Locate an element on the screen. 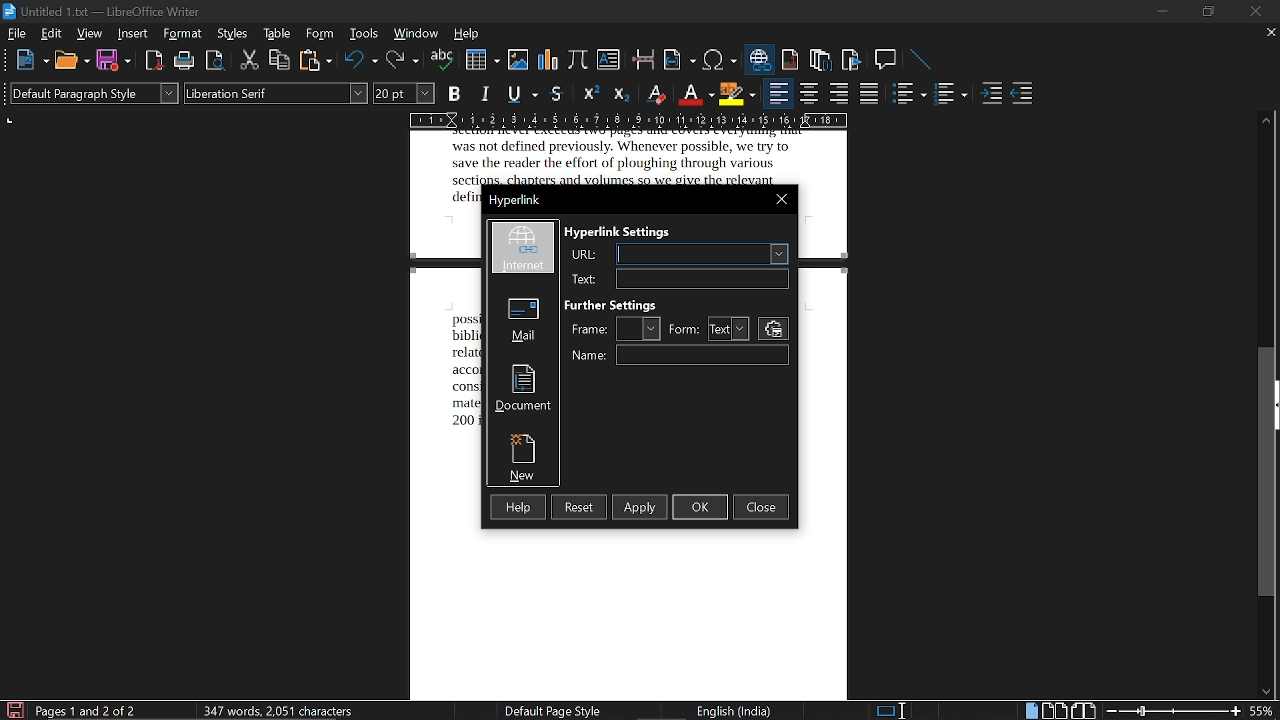  document is located at coordinates (521, 390).